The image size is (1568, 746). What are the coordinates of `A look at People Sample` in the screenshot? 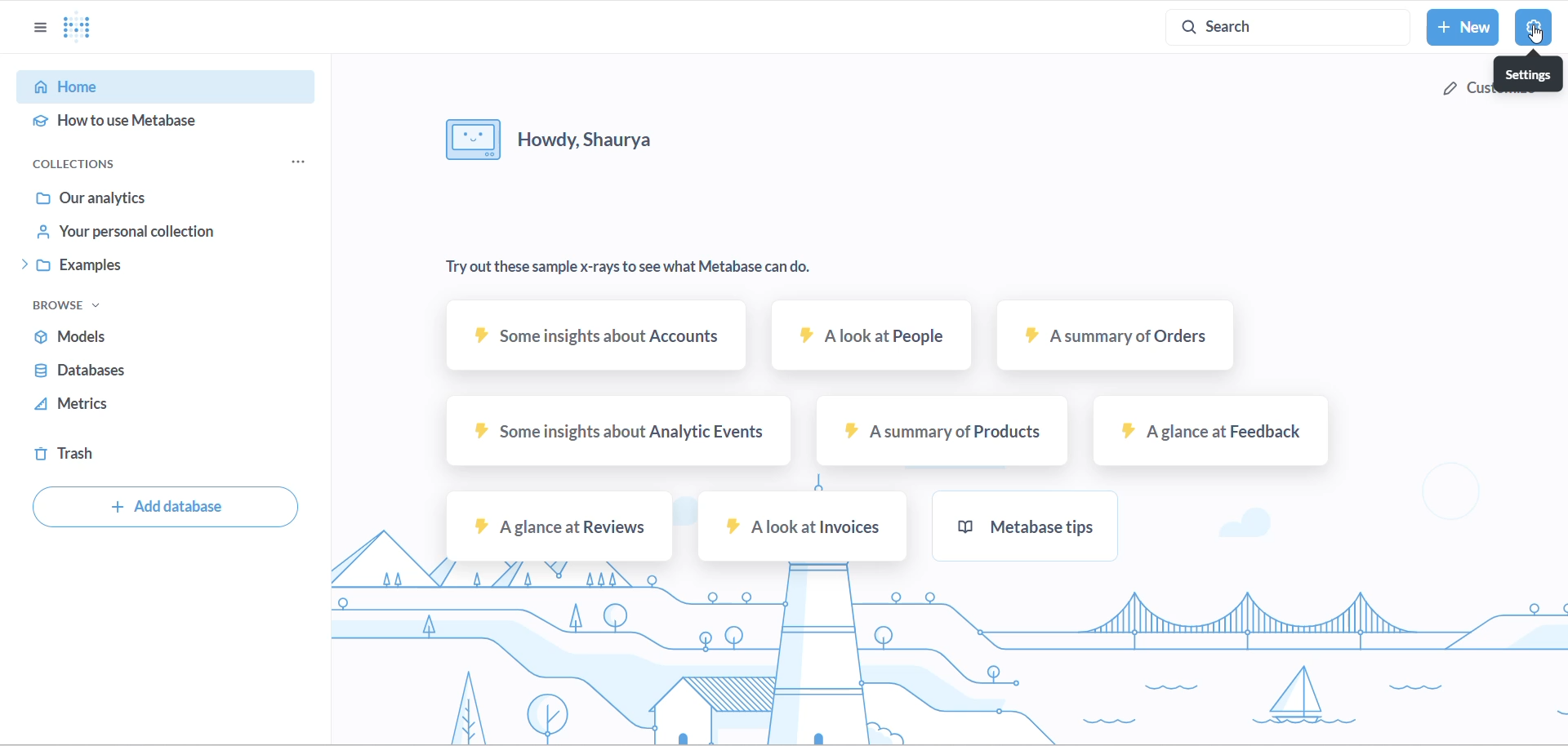 It's located at (874, 335).